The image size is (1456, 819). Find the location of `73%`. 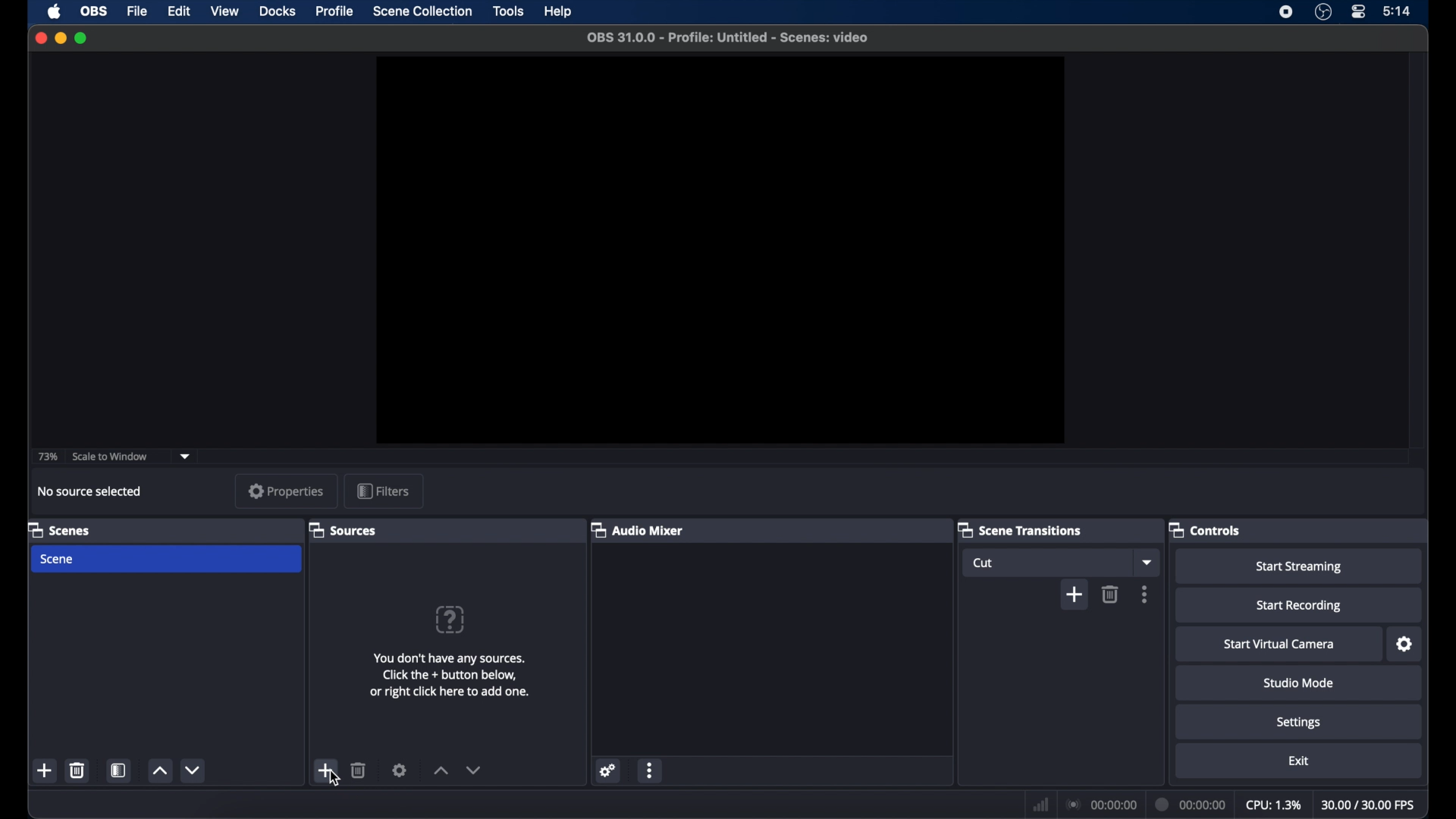

73% is located at coordinates (46, 457).